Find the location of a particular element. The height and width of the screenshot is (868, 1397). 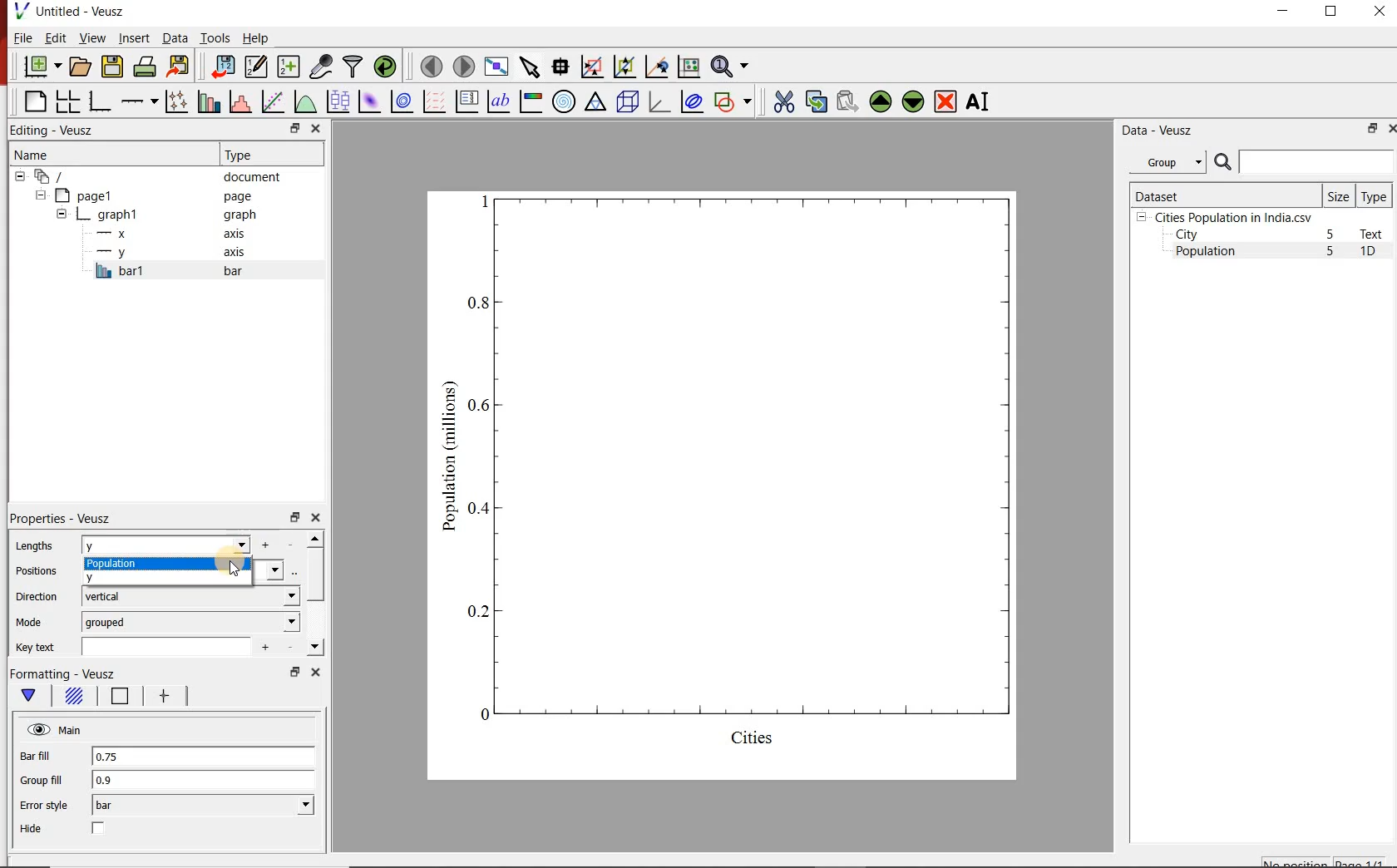

click to recenter graph axes is located at coordinates (655, 67).